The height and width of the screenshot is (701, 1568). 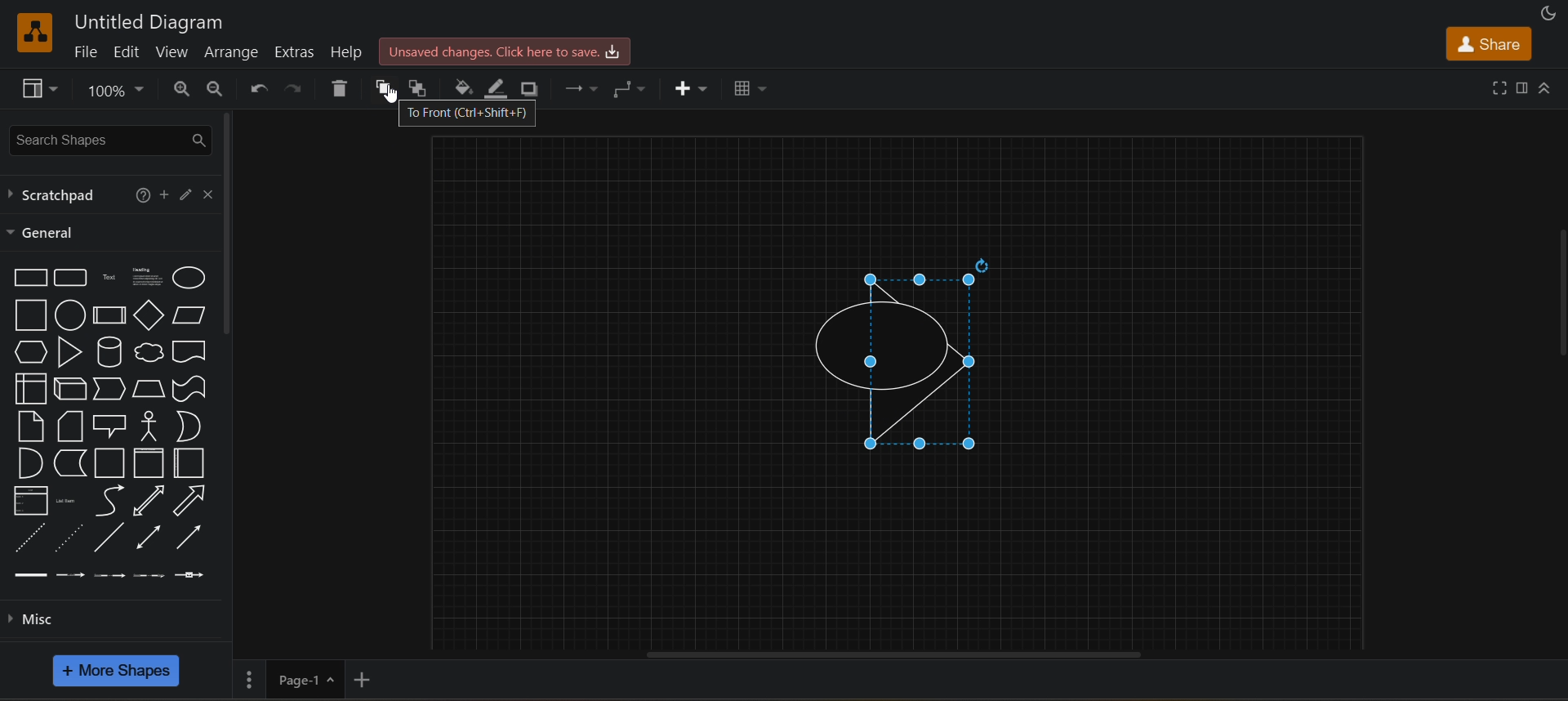 What do you see at coordinates (167, 194) in the screenshot?
I see `add` at bounding box center [167, 194].